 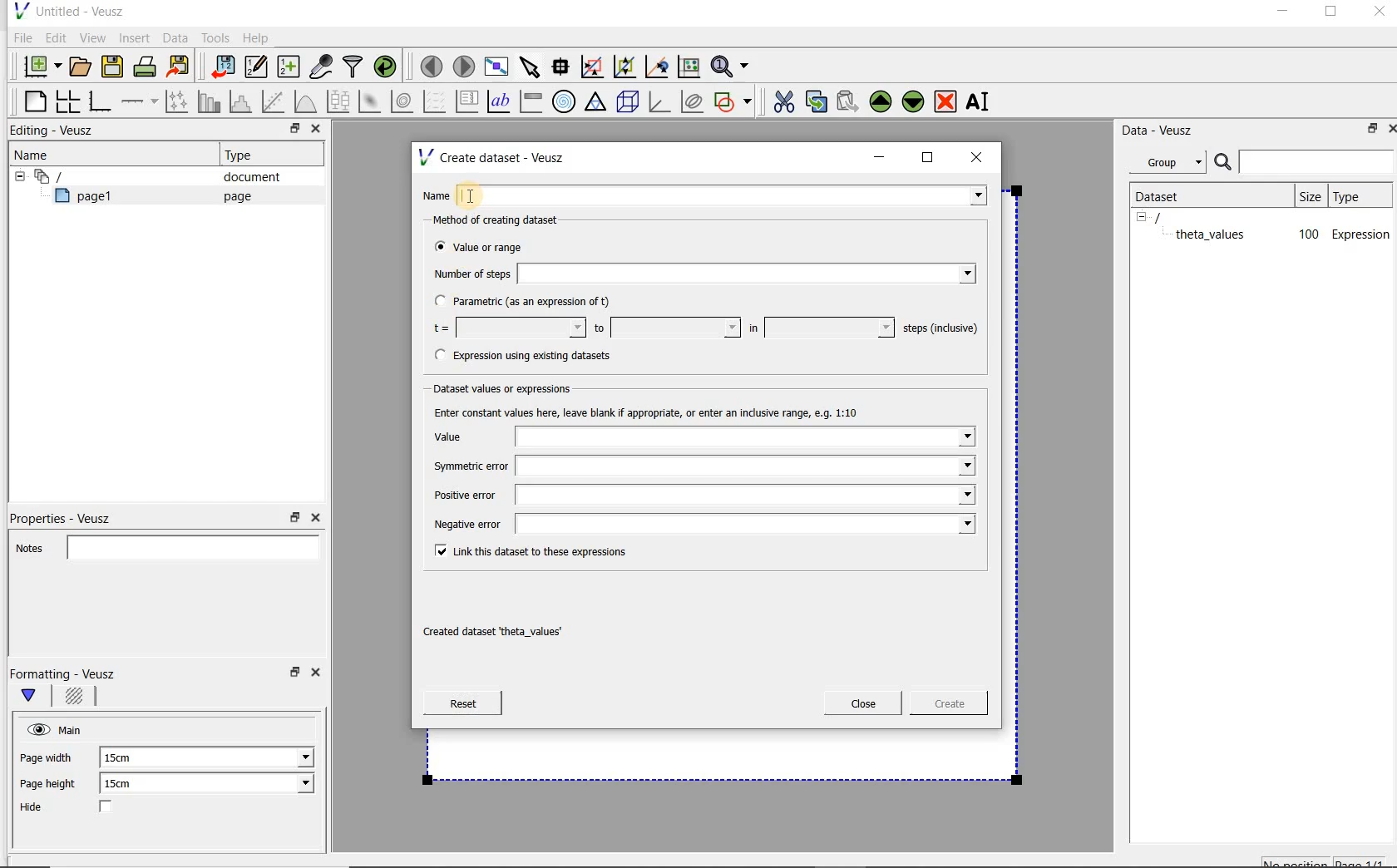 What do you see at coordinates (850, 101) in the screenshot?
I see `Paste widget from the clipboard` at bounding box center [850, 101].